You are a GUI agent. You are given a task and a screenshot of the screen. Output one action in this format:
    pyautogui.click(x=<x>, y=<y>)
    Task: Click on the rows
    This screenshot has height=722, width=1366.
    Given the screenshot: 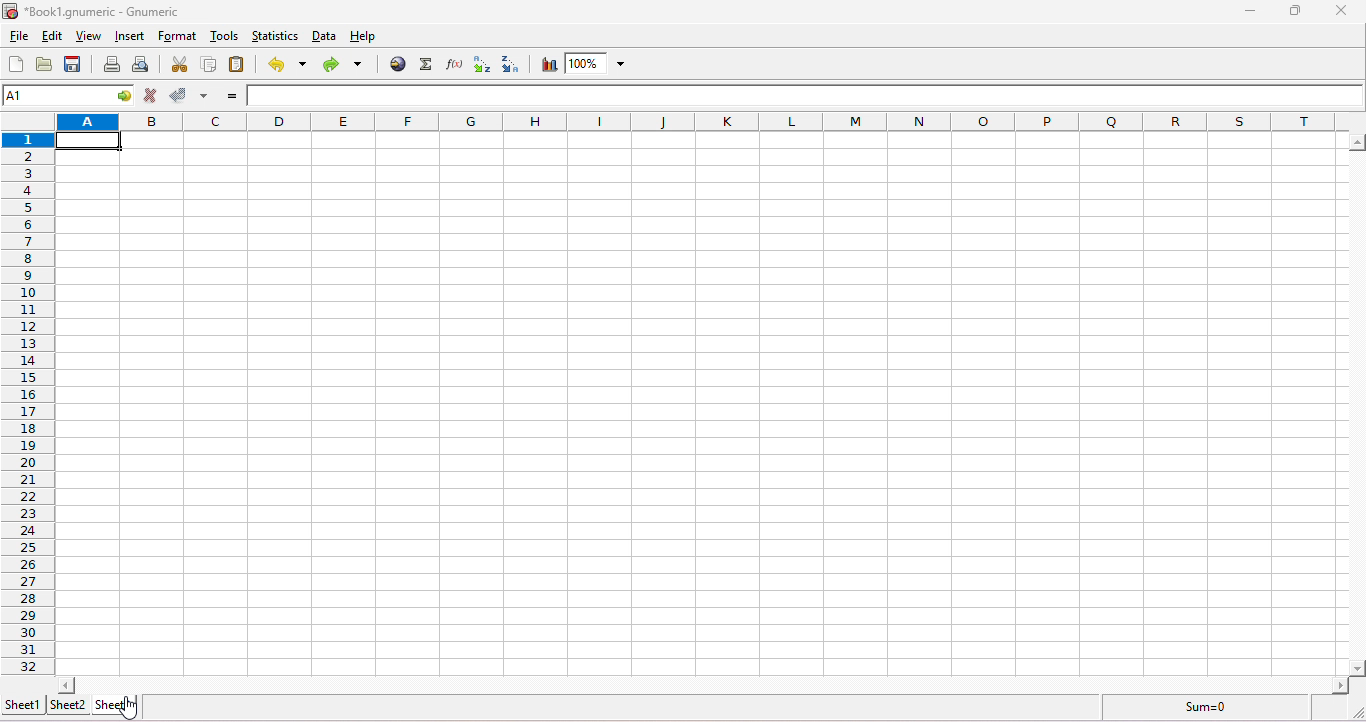 What is the action you would take?
    pyautogui.click(x=29, y=392)
    